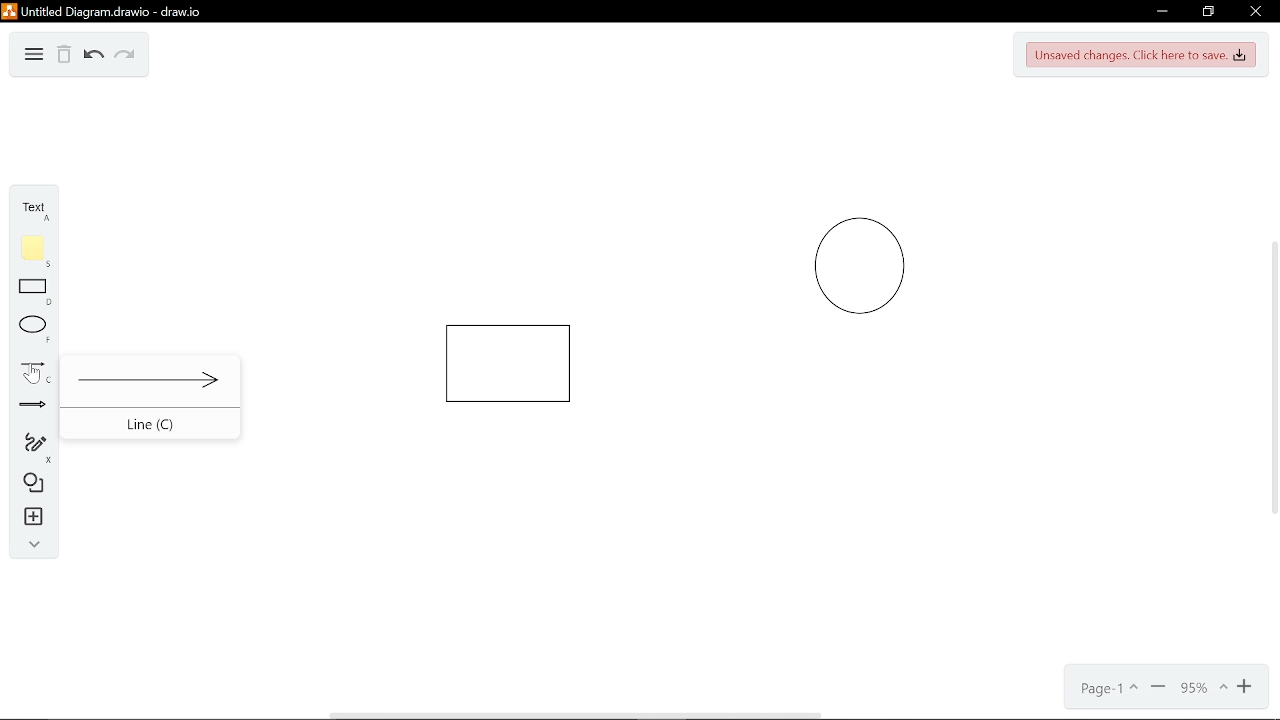  I want to click on Minimize, so click(1159, 689).